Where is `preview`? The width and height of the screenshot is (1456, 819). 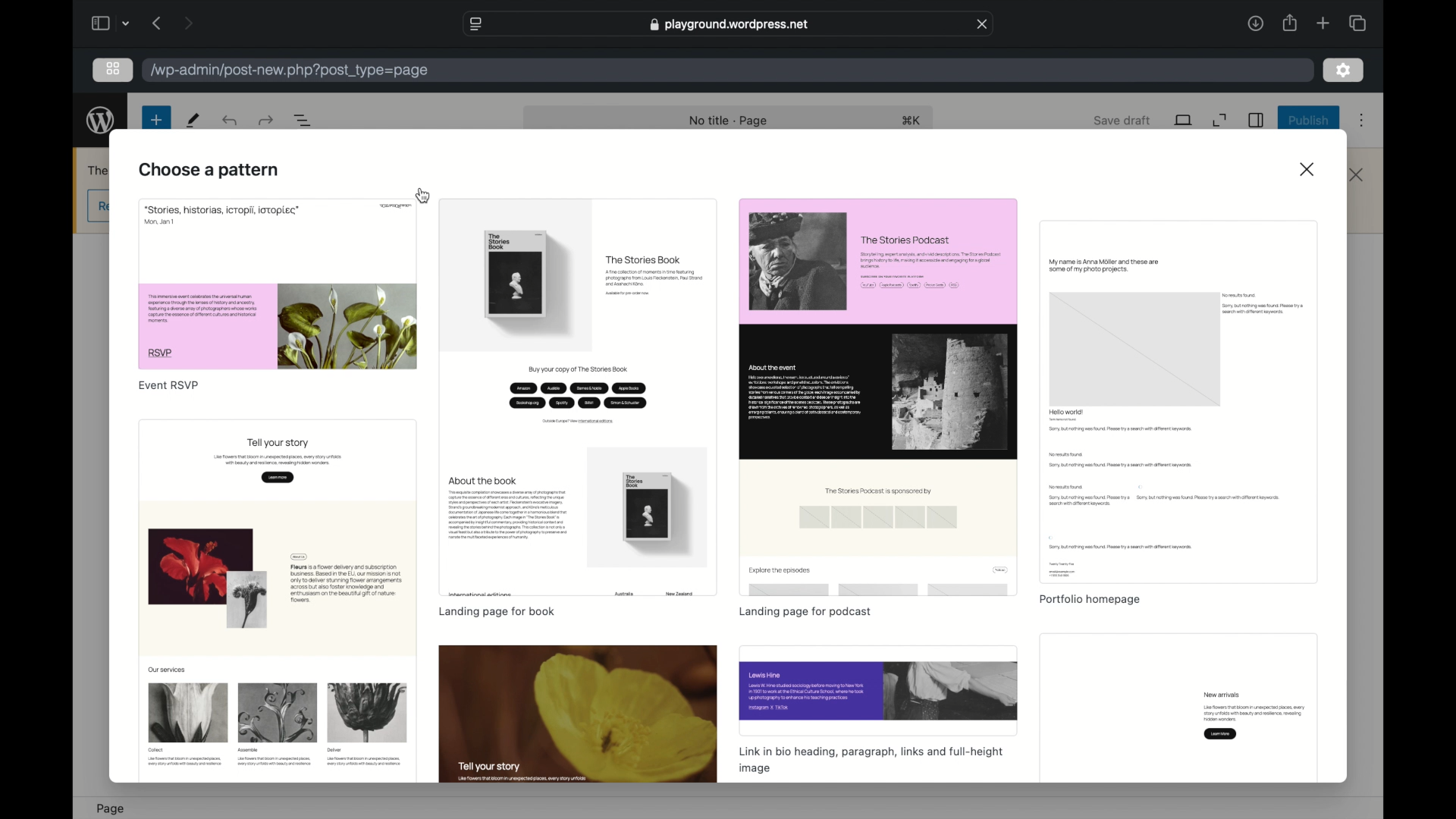
preview is located at coordinates (579, 396).